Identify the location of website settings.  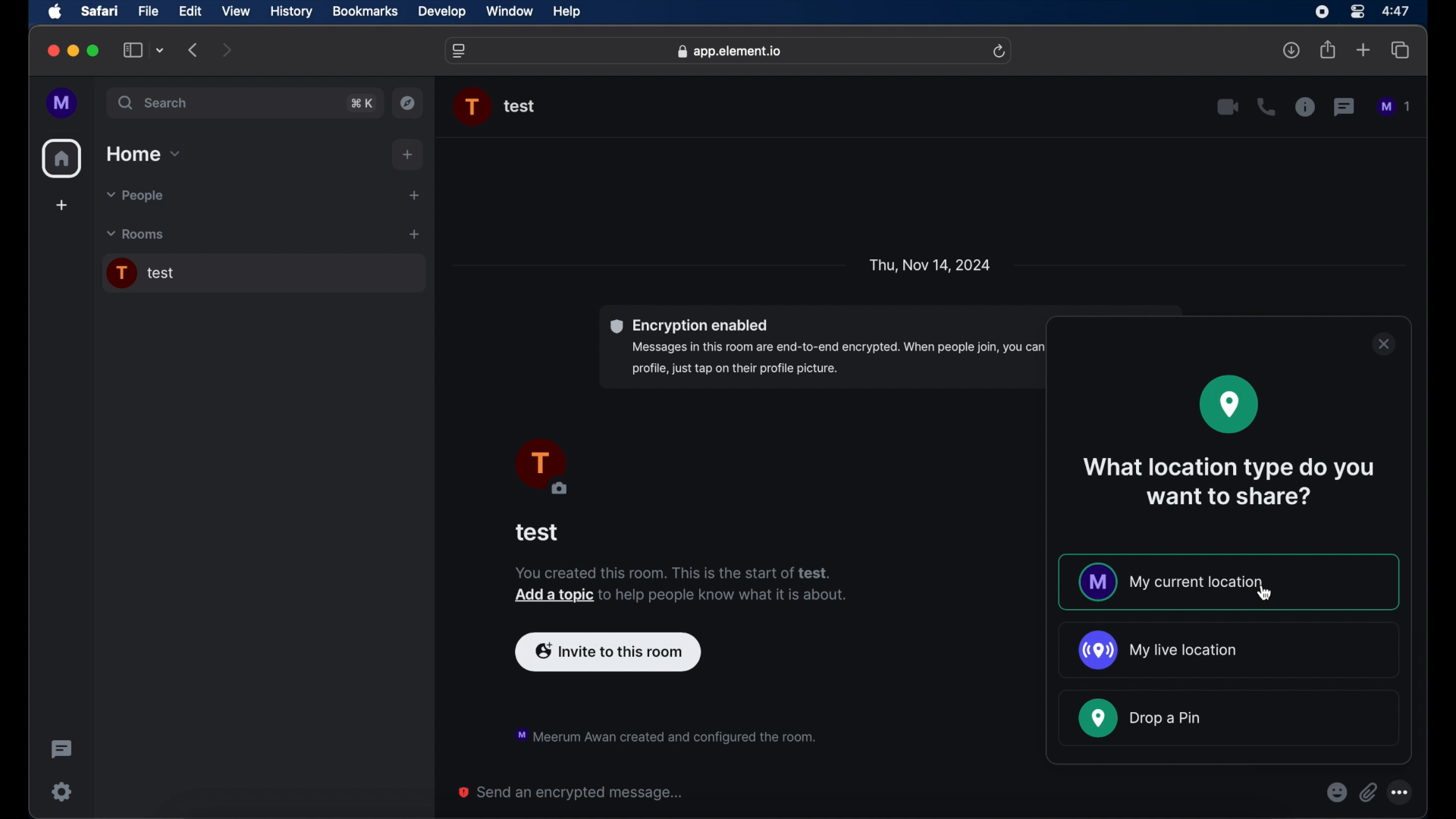
(460, 51).